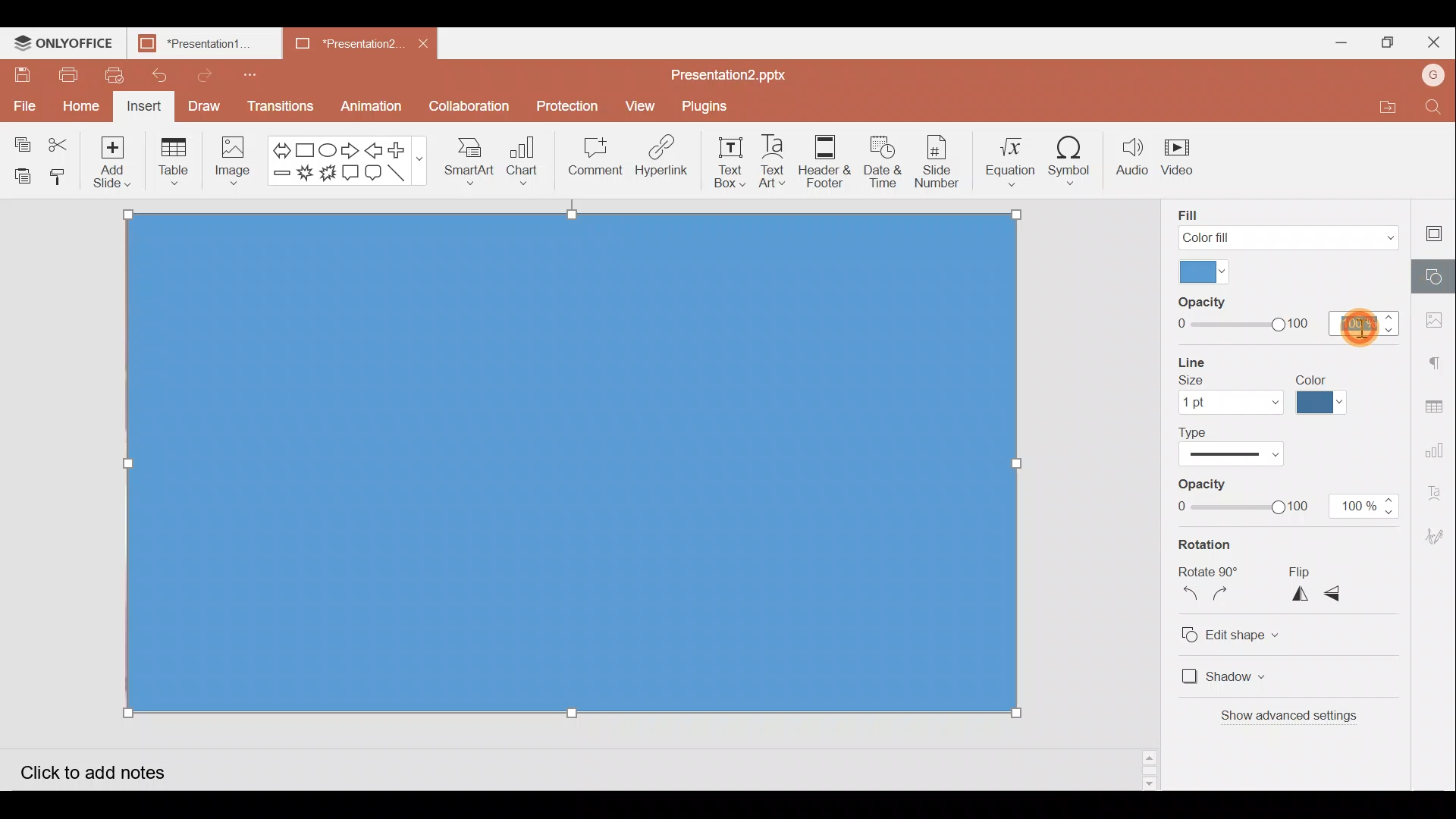  Describe the element at coordinates (146, 106) in the screenshot. I see `Insert` at that location.